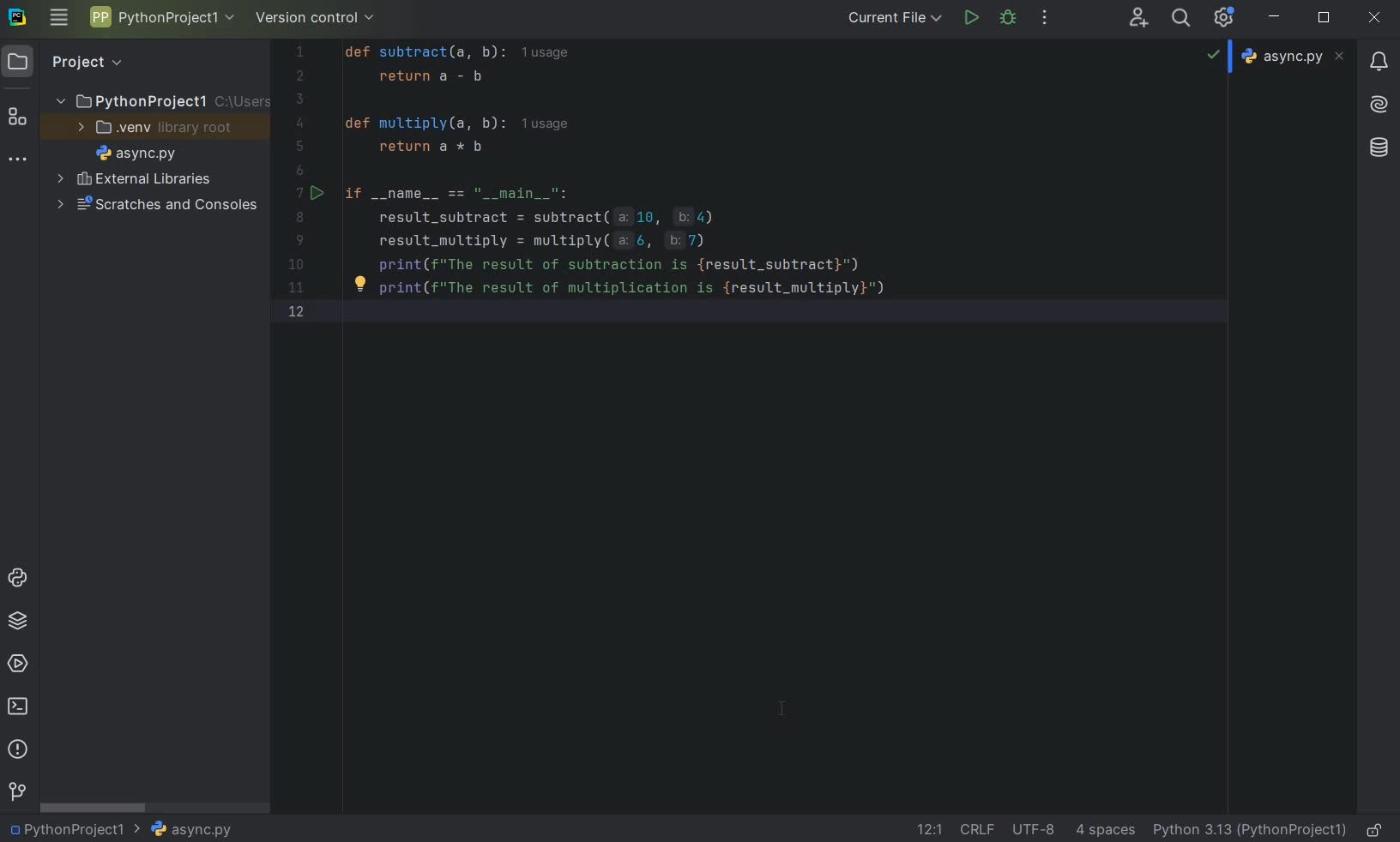  Describe the element at coordinates (19, 18) in the screenshot. I see `SYSTEM LOGO` at that location.